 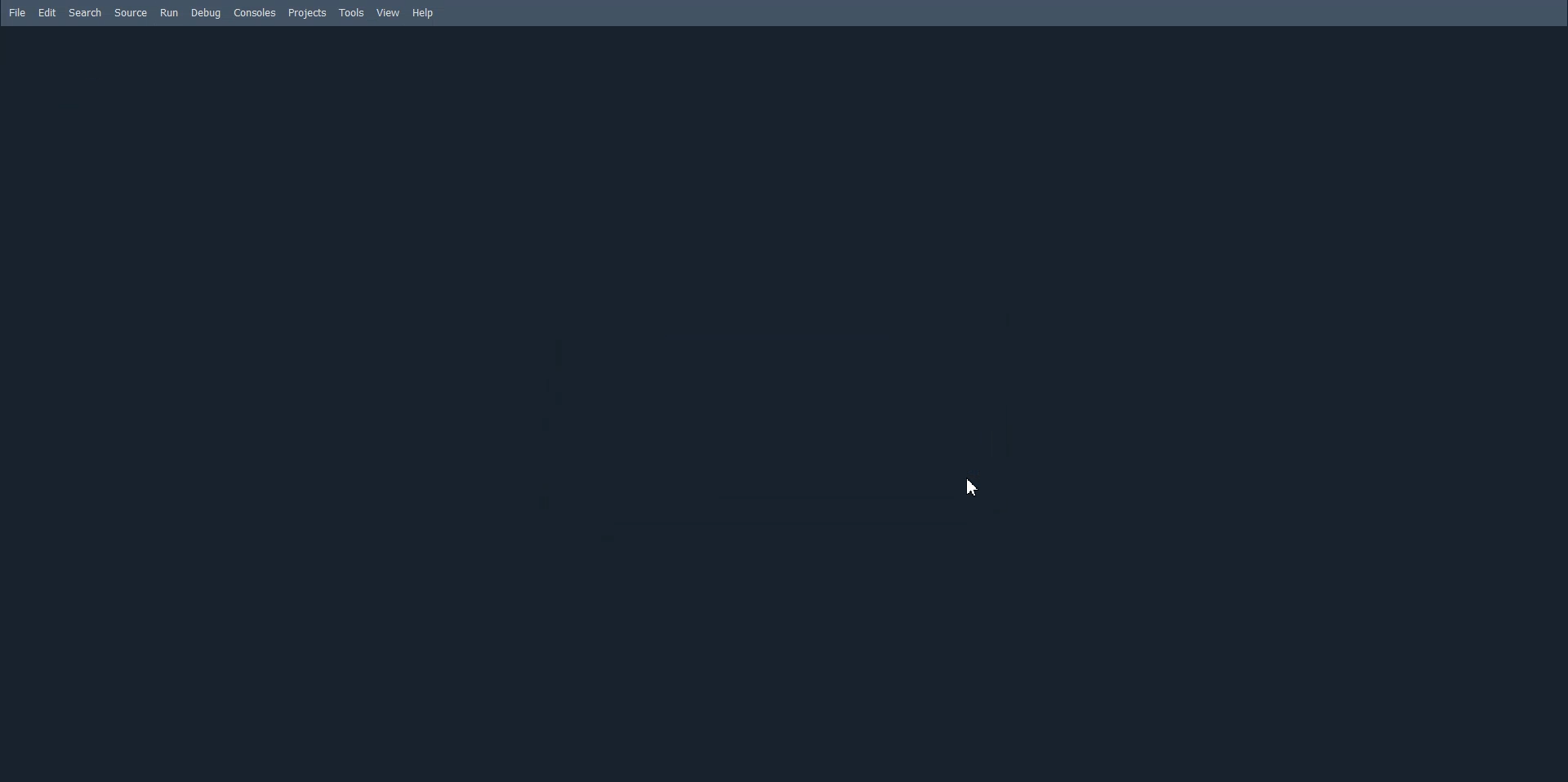 What do you see at coordinates (308, 12) in the screenshot?
I see `Projects` at bounding box center [308, 12].